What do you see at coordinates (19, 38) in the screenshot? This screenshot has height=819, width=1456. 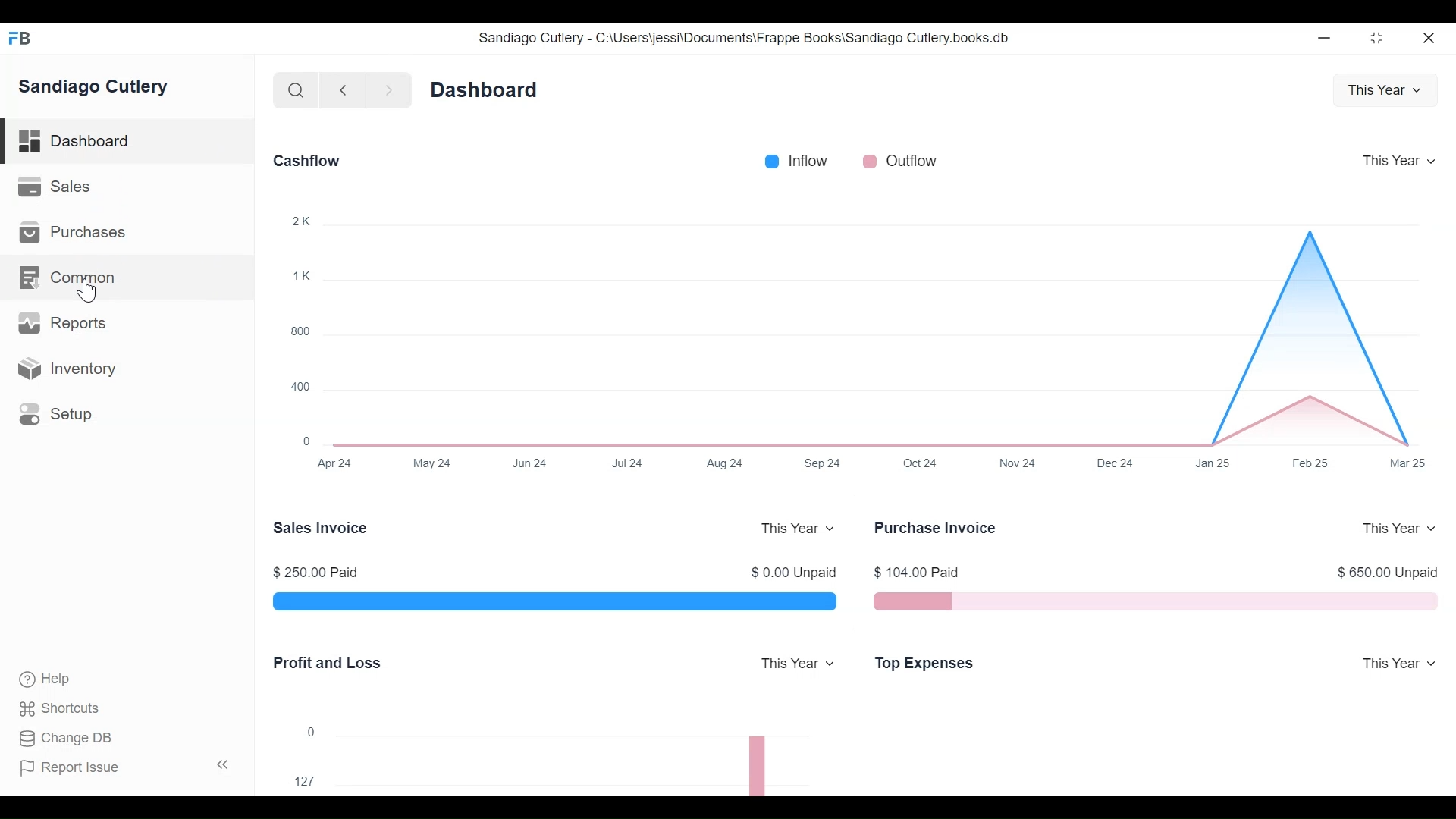 I see `FrappeBooks logo` at bounding box center [19, 38].